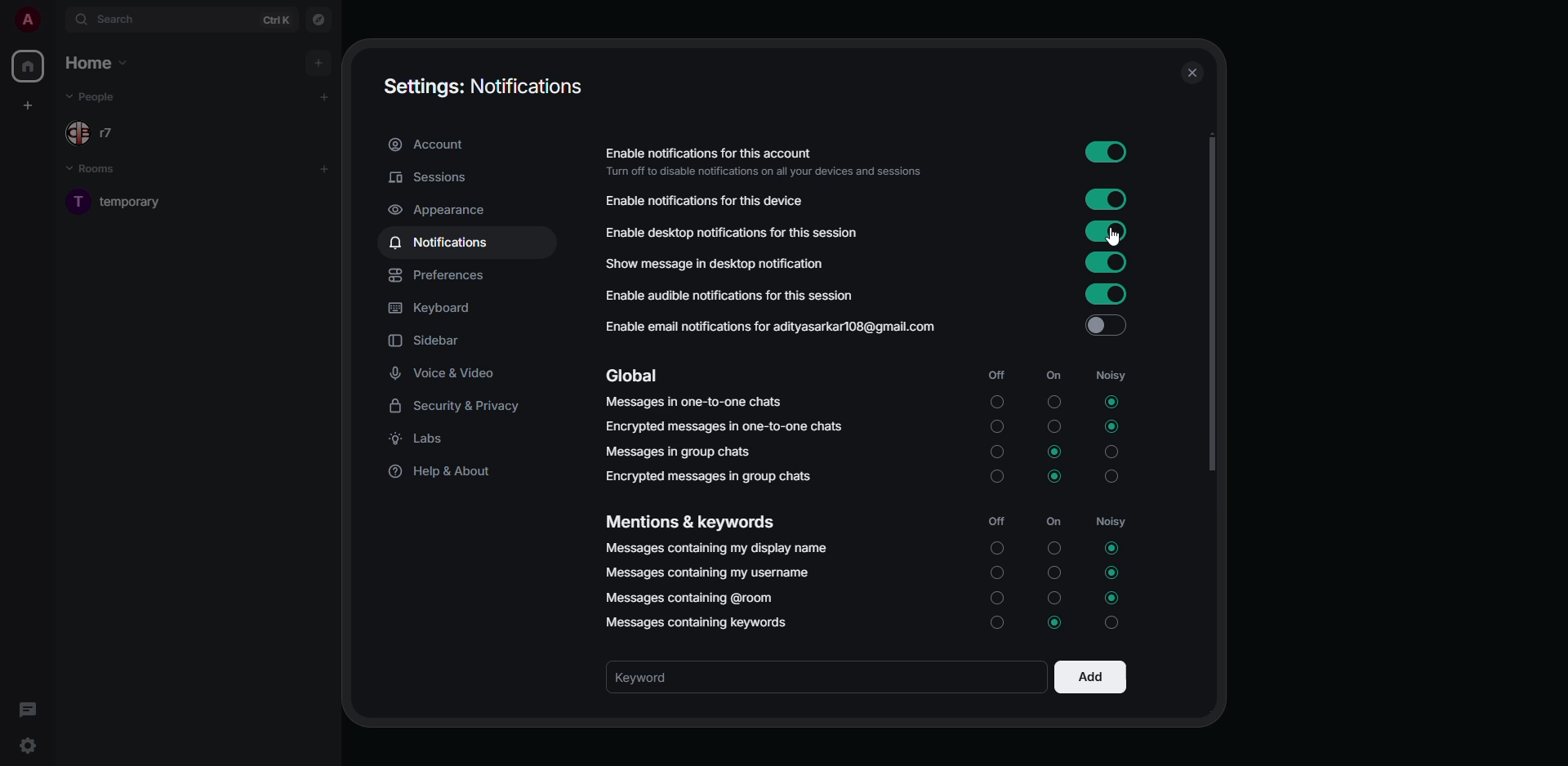 The height and width of the screenshot is (766, 1568). I want to click on cursor, so click(1114, 238).